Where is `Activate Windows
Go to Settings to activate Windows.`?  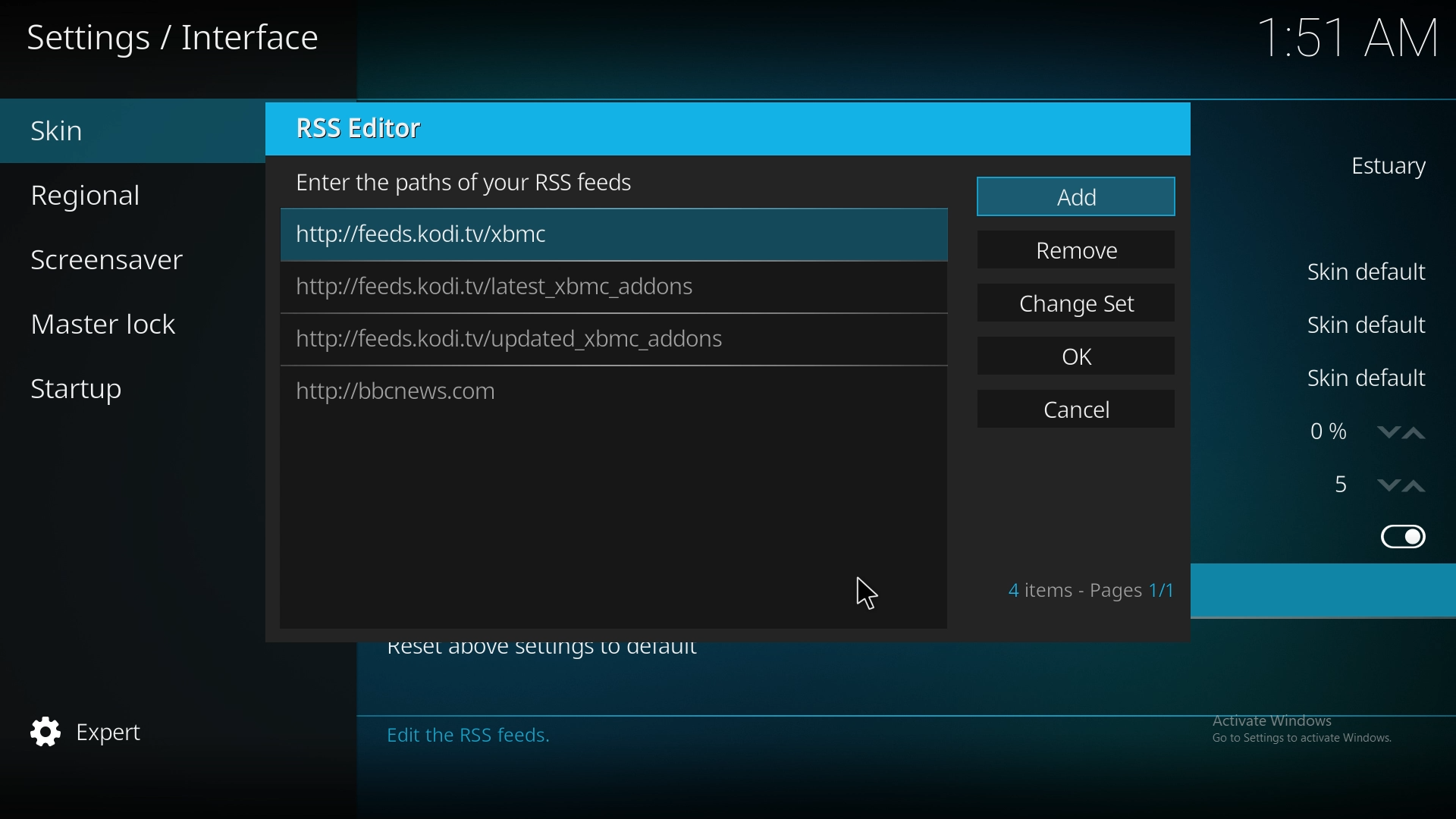
Activate Windows
Go to Settings to activate Windows. is located at coordinates (1307, 729).